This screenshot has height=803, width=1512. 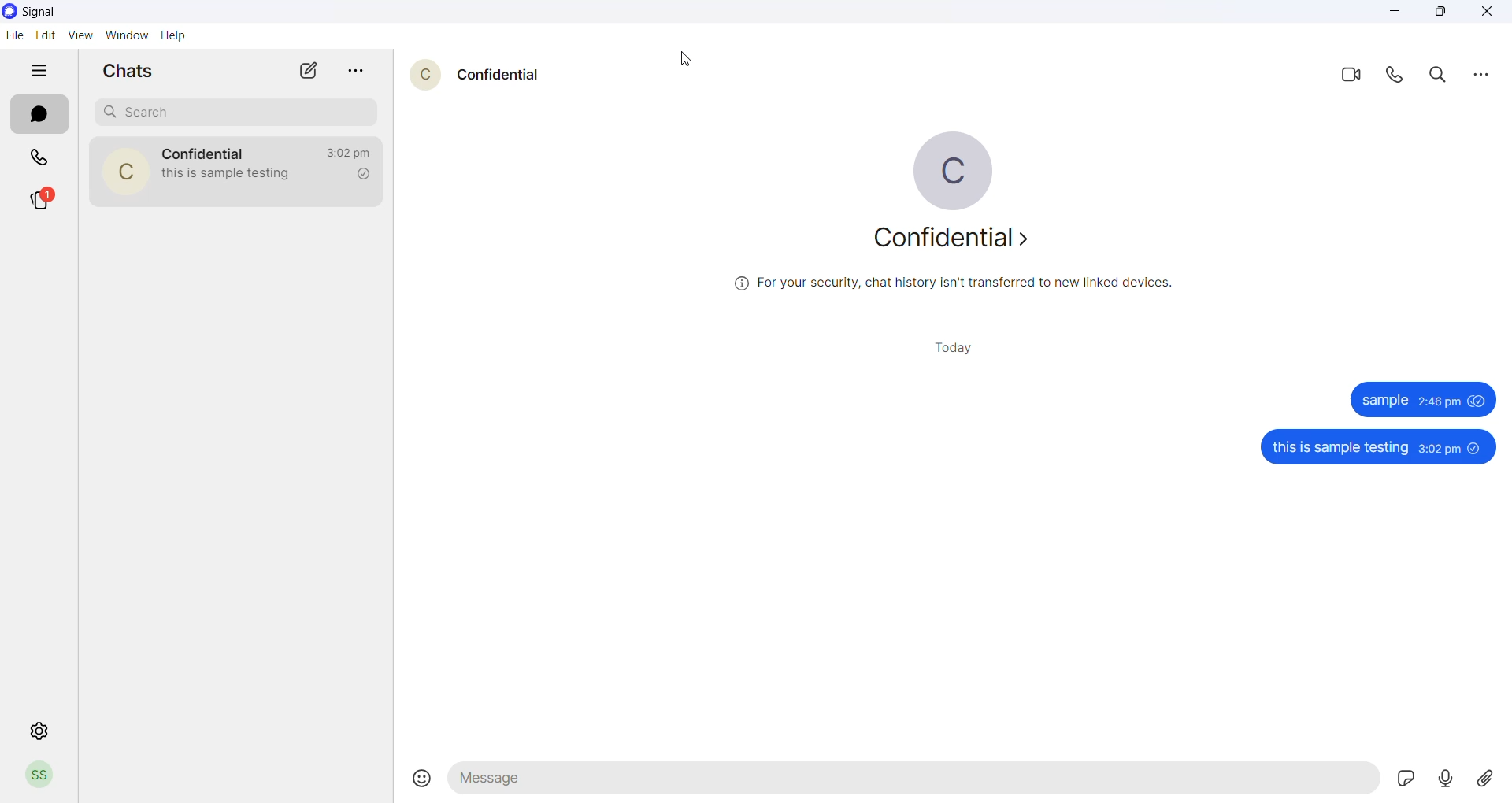 What do you see at coordinates (355, 68) in the screenshot?
I see `more options` at bounding box center [355, 68].